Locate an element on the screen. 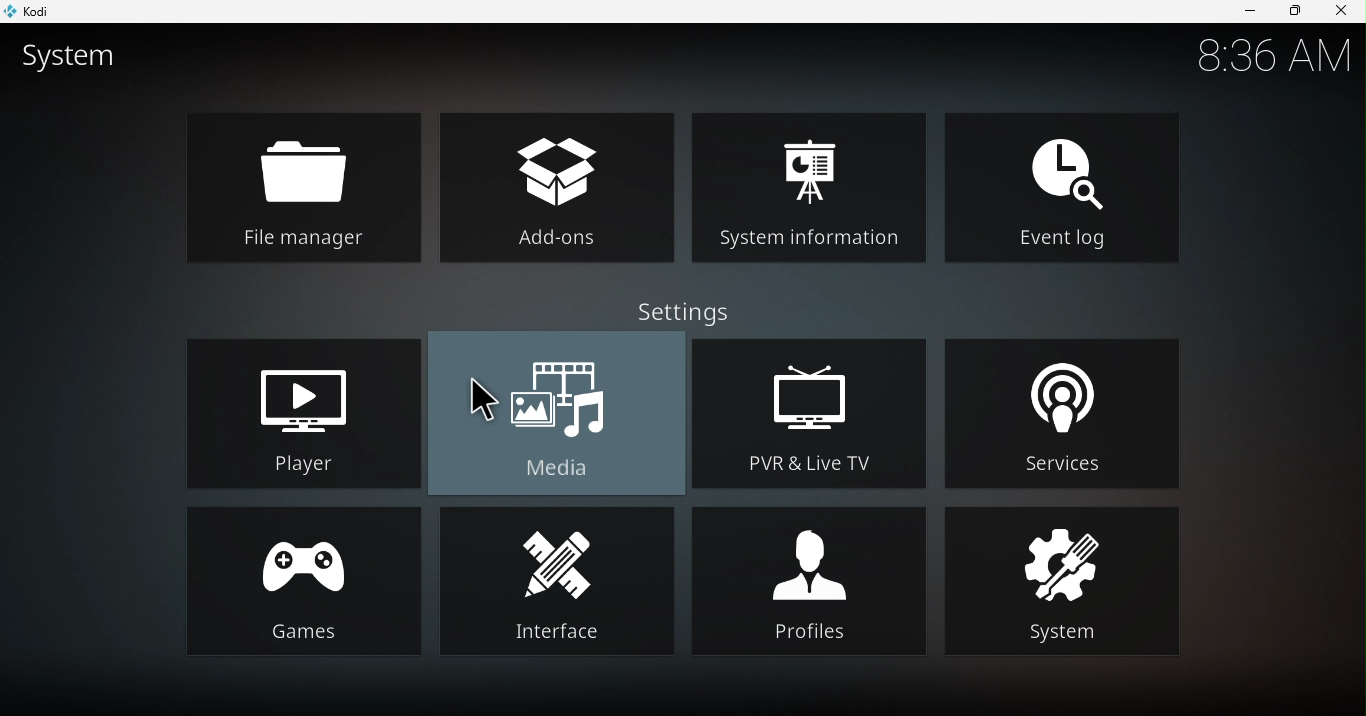 Image resolution: width=1366 pixels, height=716 pixels. Serivices is located at coordinates (1067, 408).